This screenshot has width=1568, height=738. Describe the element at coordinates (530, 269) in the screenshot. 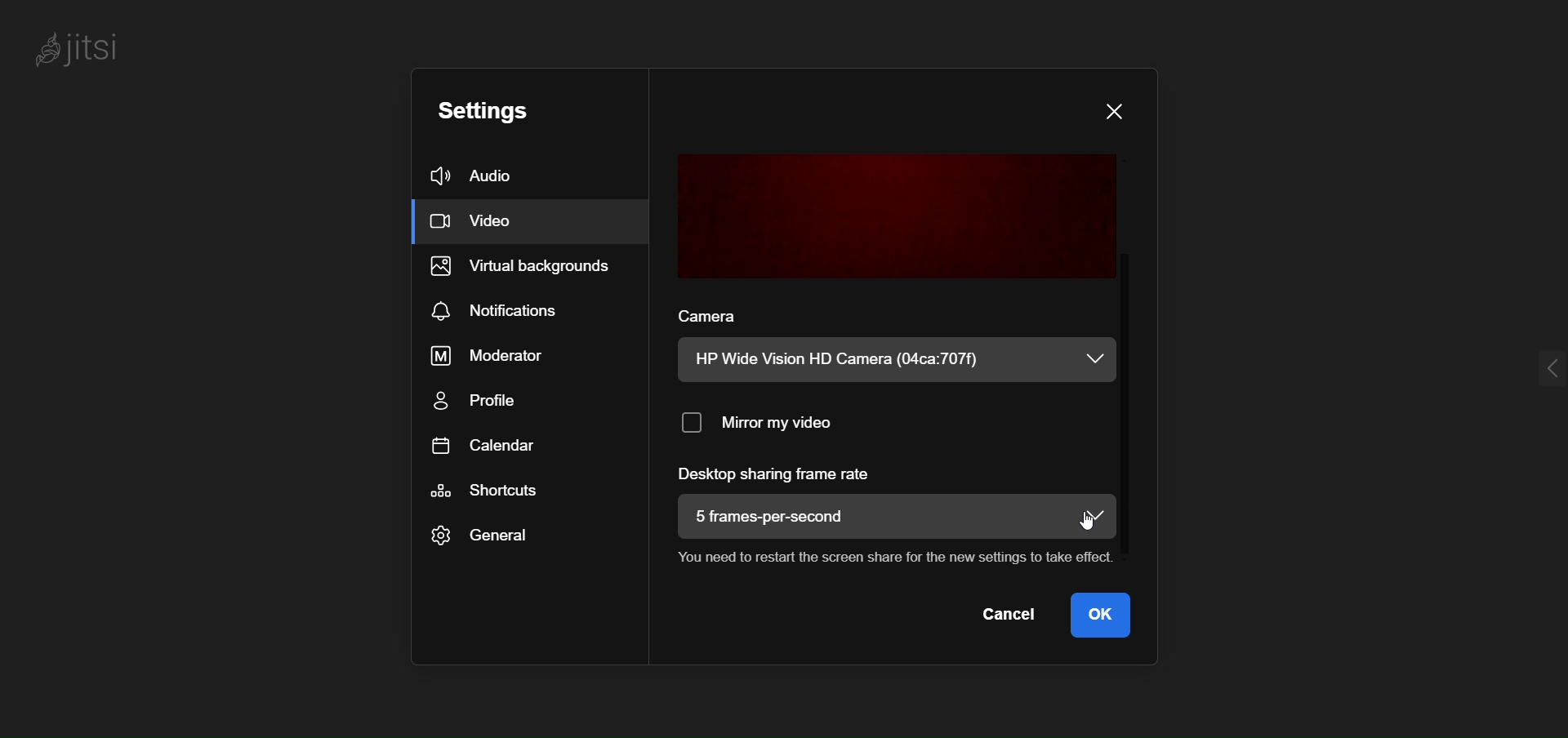

I see `virtual background` at that location.